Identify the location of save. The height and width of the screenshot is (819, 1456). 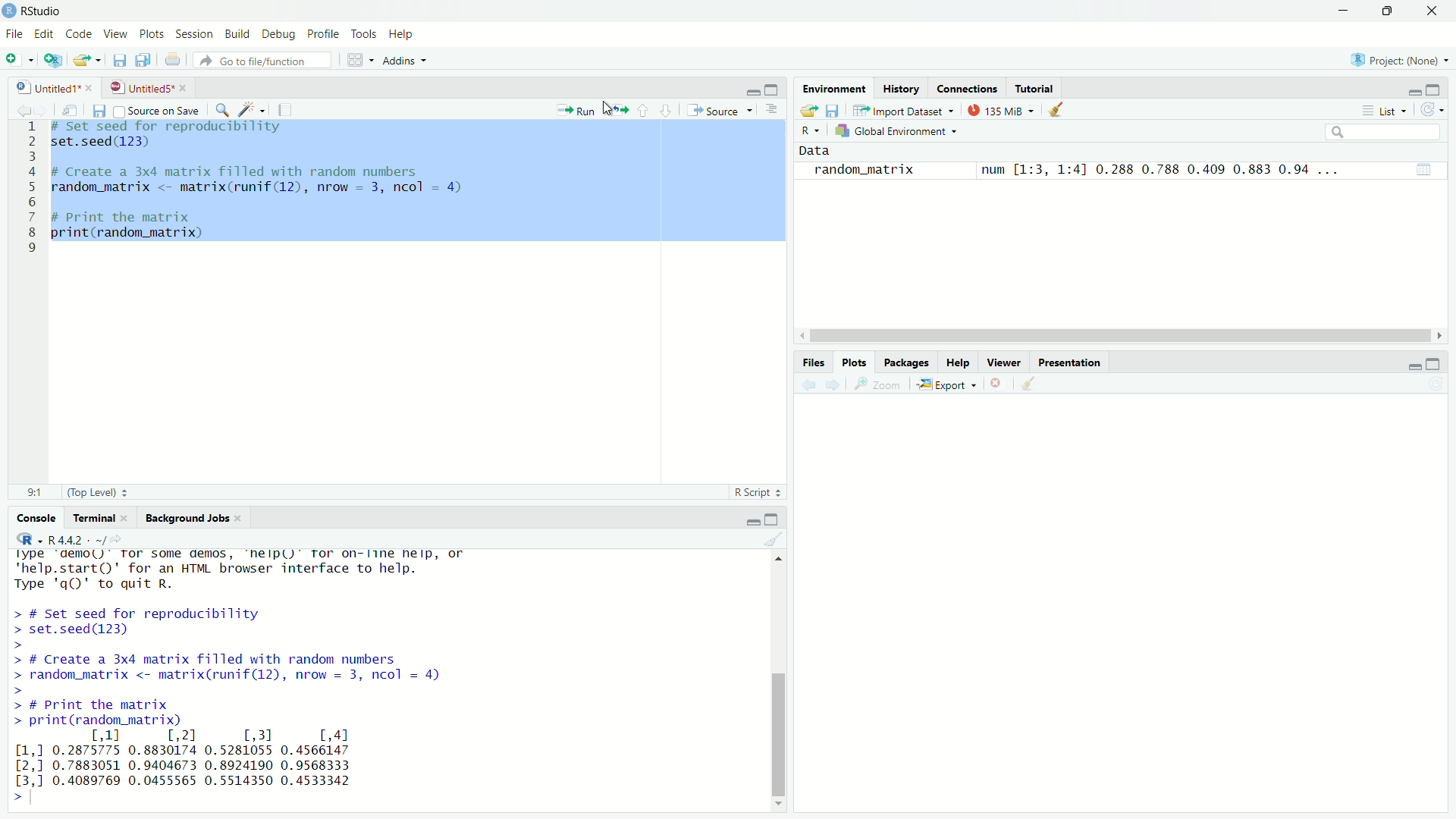
(833, 112).